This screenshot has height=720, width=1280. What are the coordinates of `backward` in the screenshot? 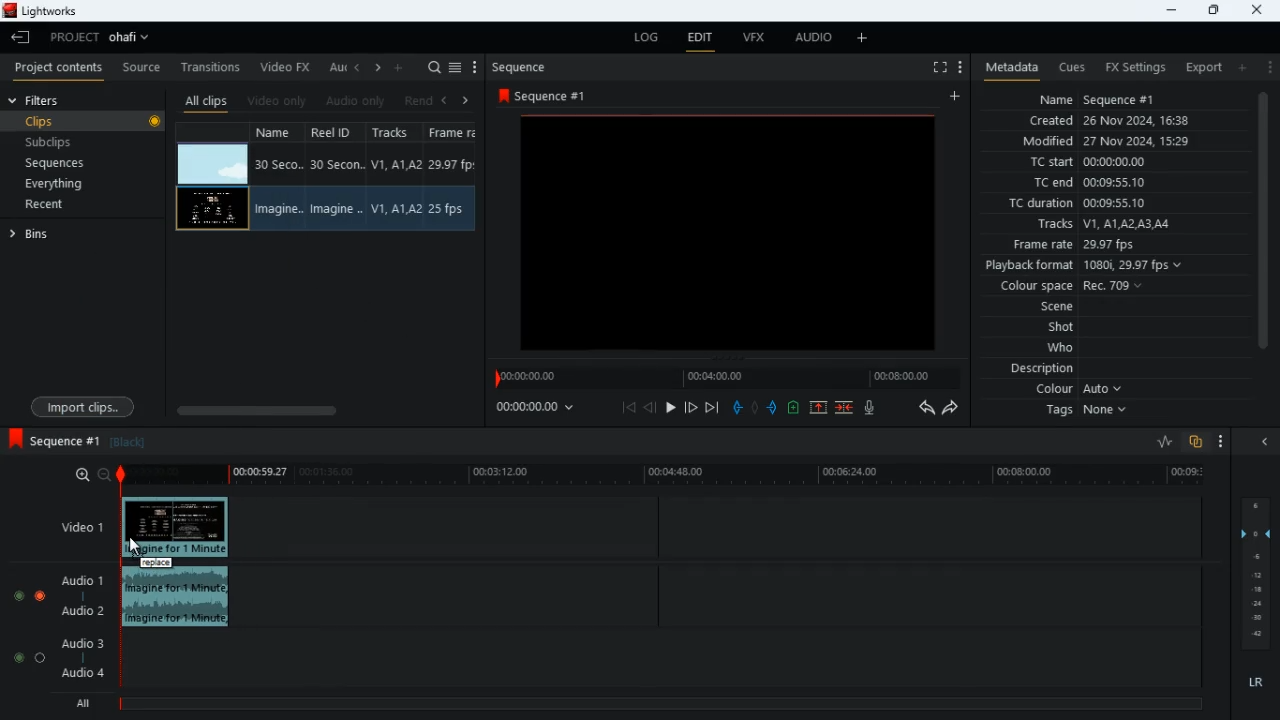 It's located at (926, 407).